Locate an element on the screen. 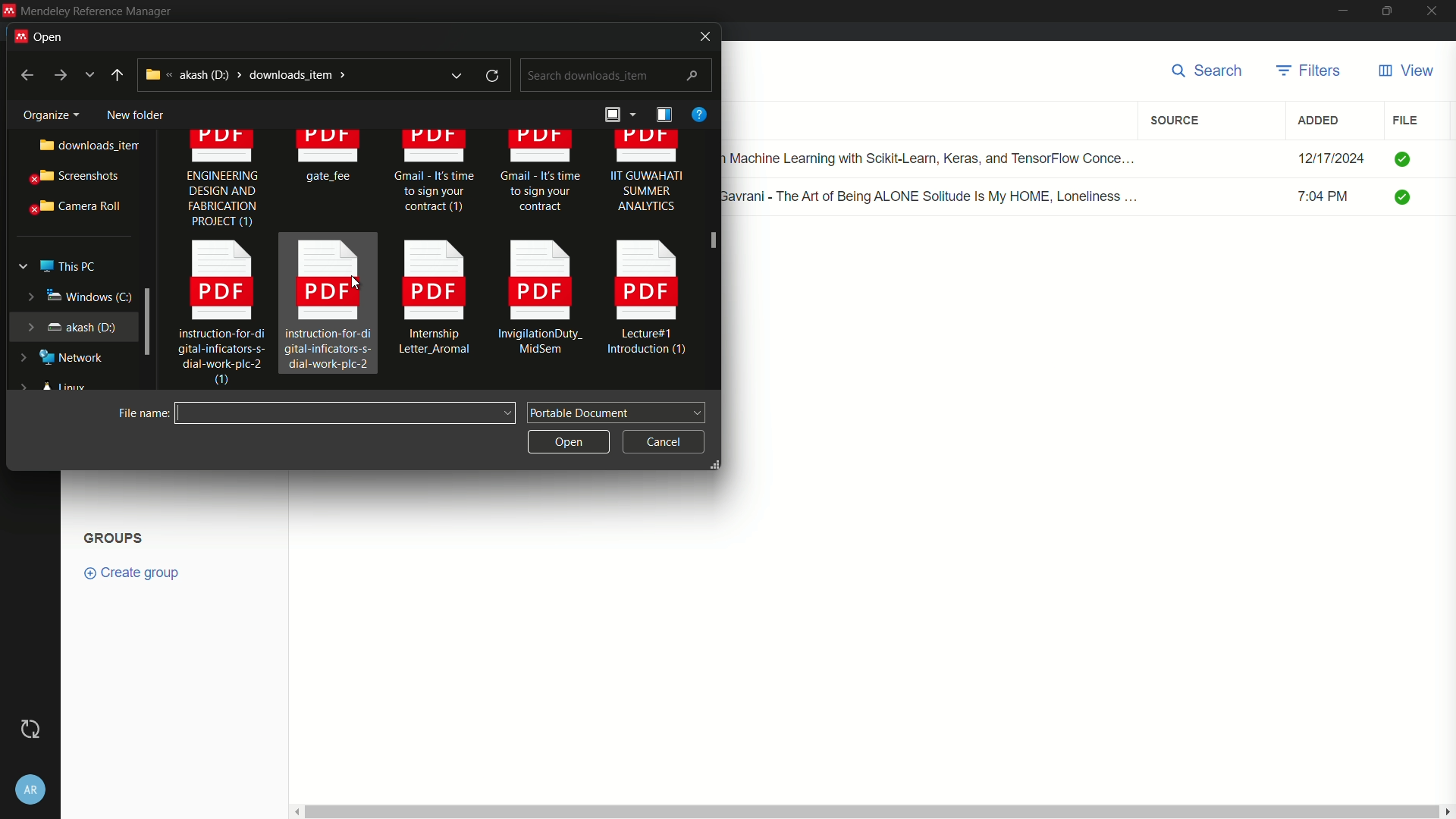  Organize is located at coordinates (45, 112).